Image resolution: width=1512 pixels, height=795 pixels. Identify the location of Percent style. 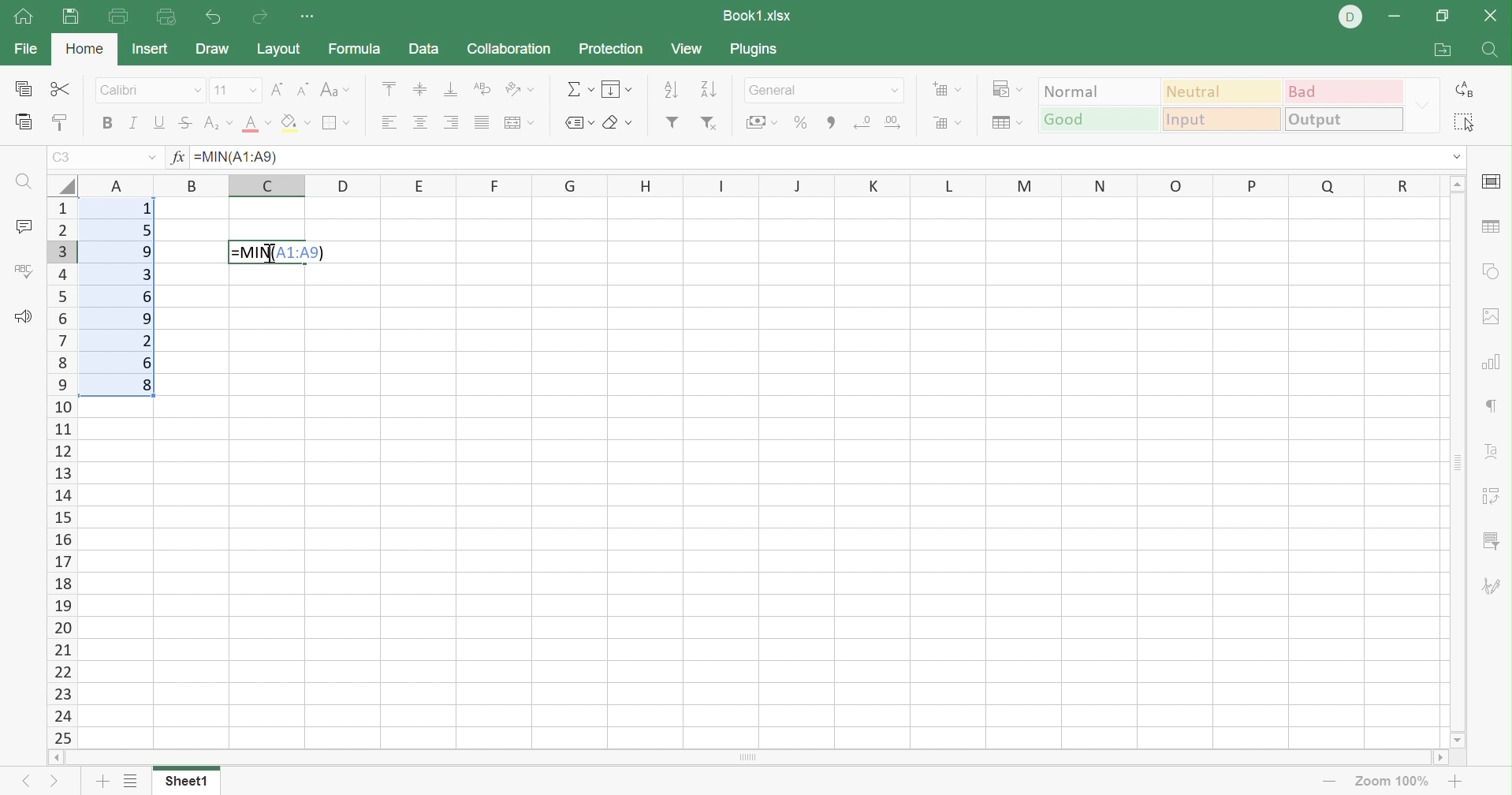
(799, 121).